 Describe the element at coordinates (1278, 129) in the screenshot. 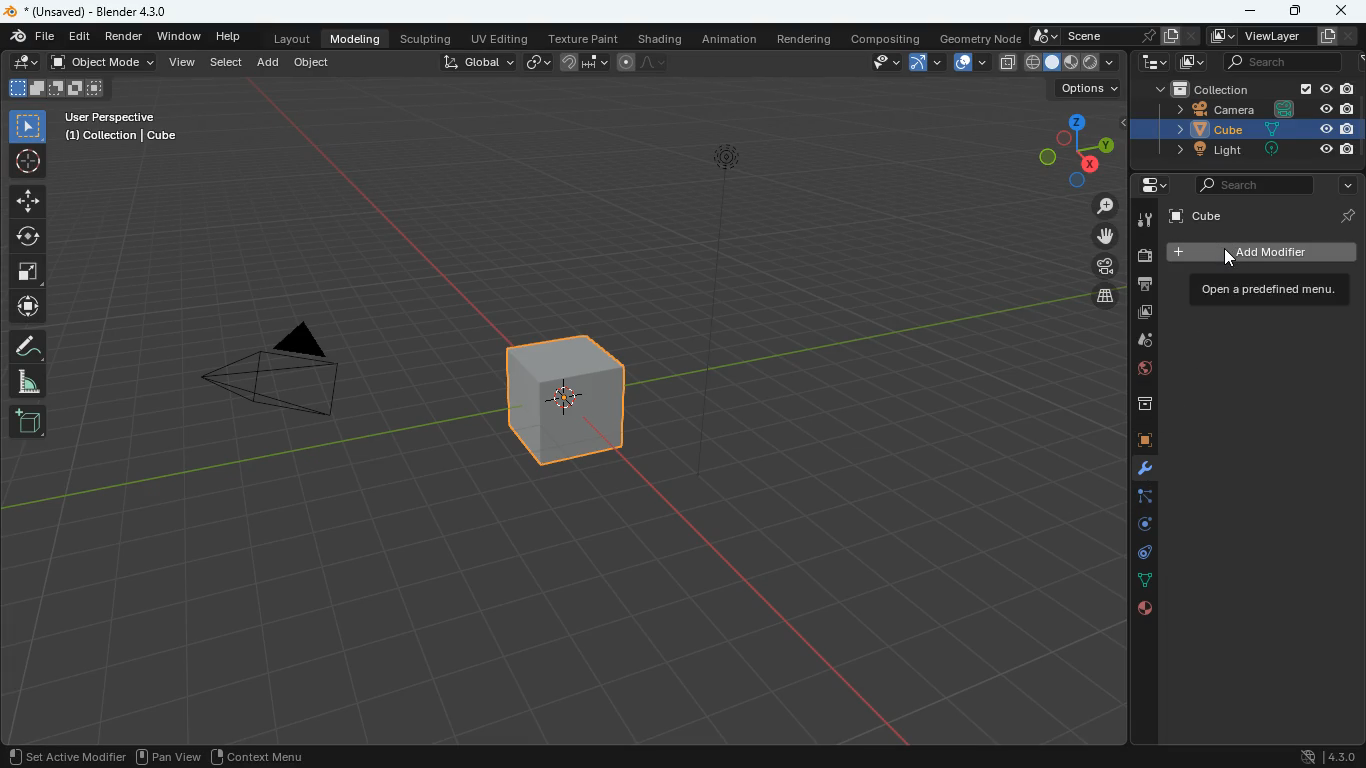

I see `` at that location.